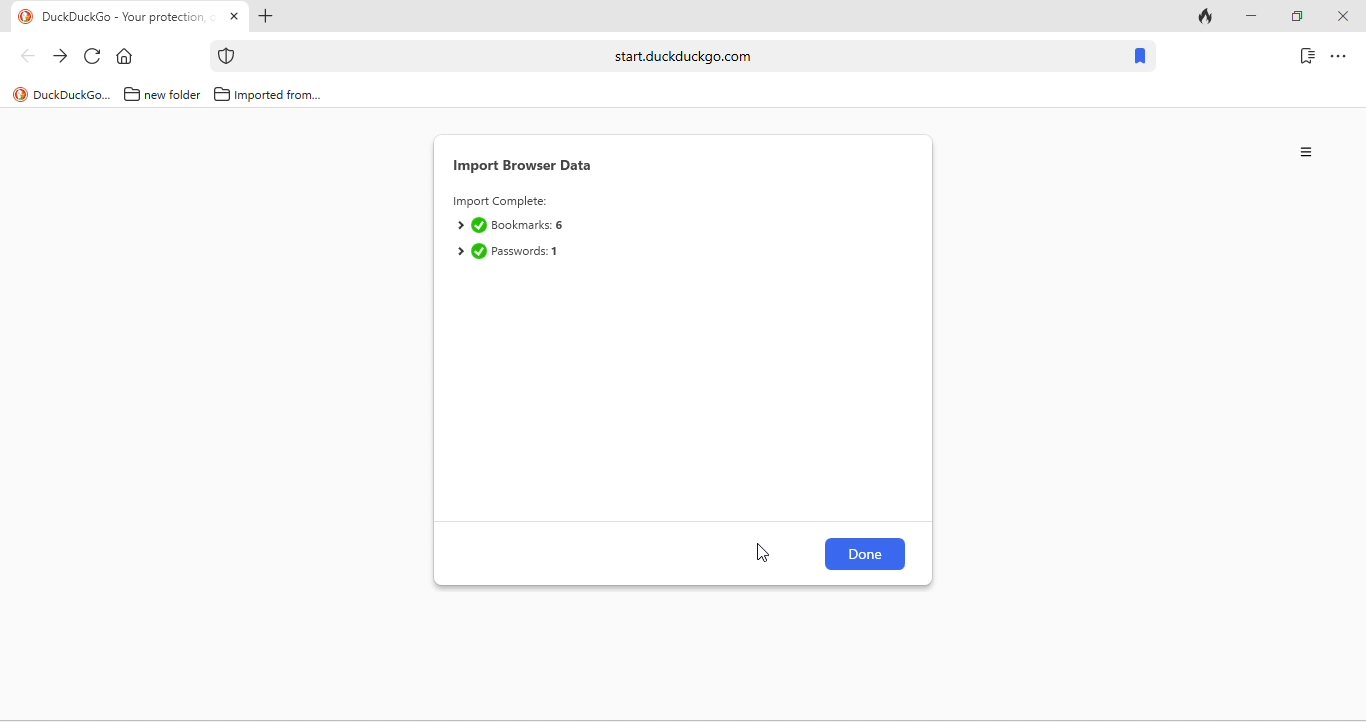 Image resolution: width=1366 pixels, height=722 pixels. I want to click on passwords: 1, so click(527, 252).